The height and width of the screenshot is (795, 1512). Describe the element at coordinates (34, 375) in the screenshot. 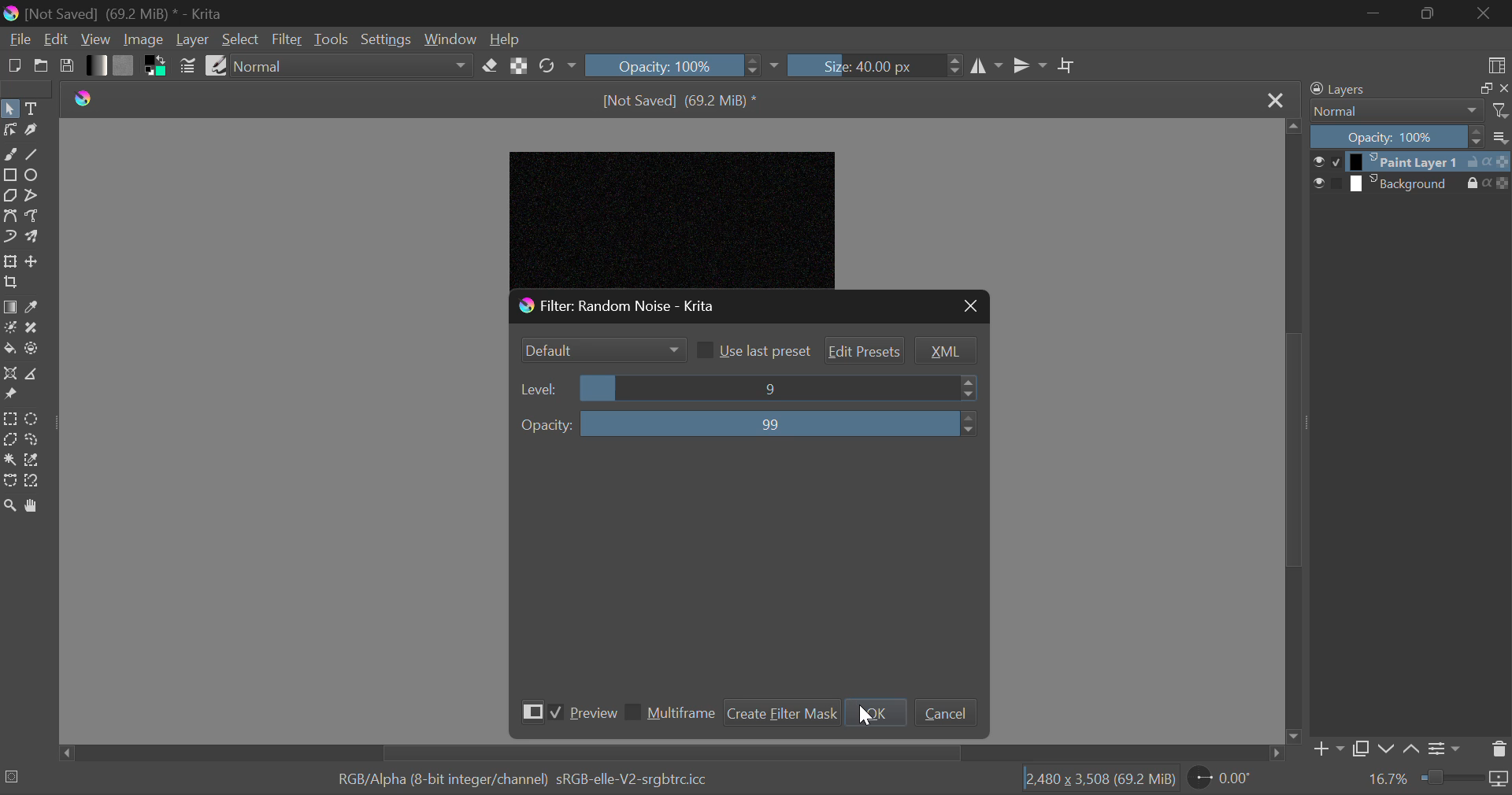

I see `Measurement` at that location.